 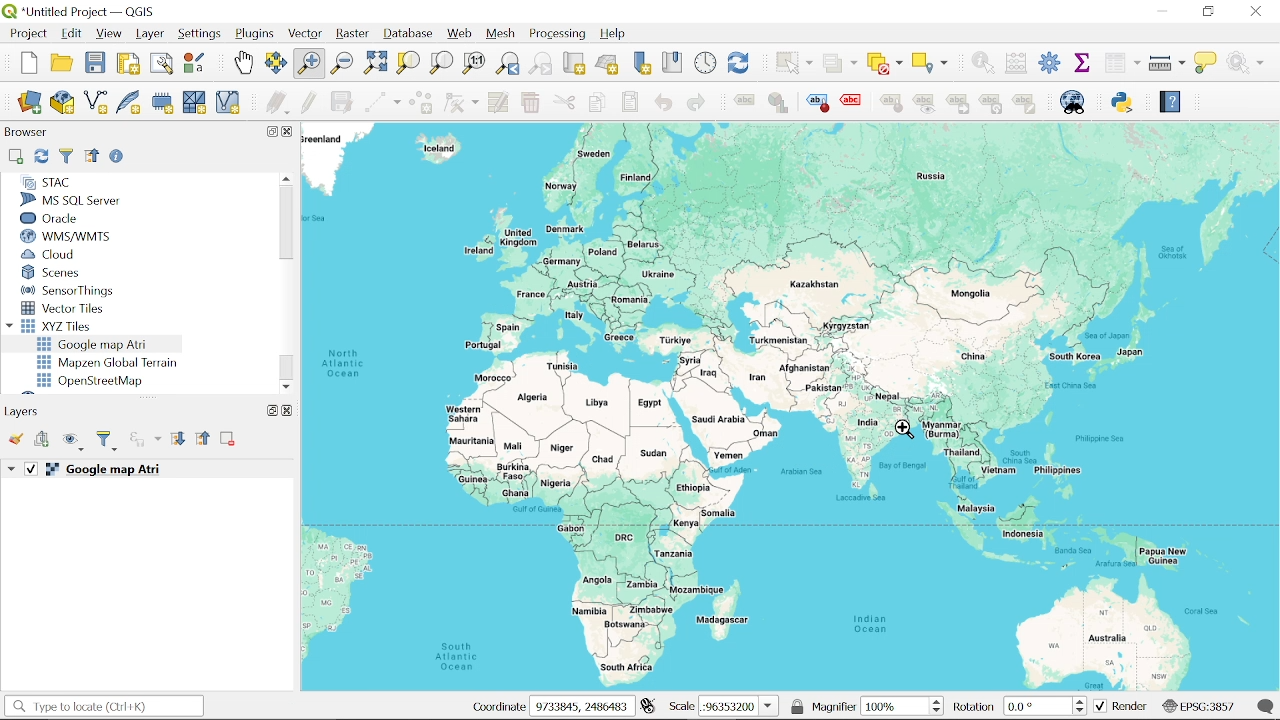 I want to click on Plugins, so click(x=256, y=35).